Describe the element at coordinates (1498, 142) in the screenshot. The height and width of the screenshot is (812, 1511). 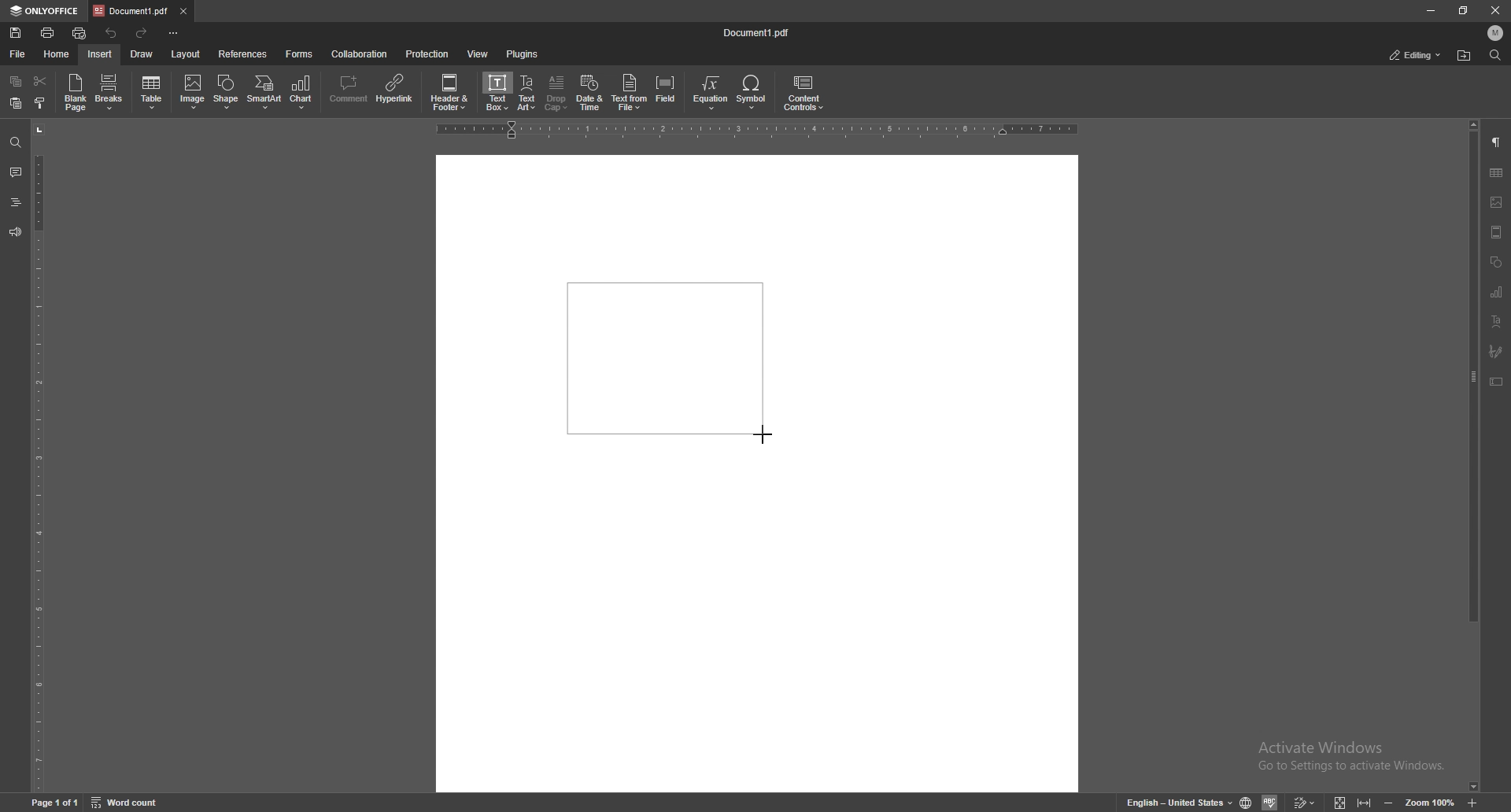
I see `paragraph` at that location.